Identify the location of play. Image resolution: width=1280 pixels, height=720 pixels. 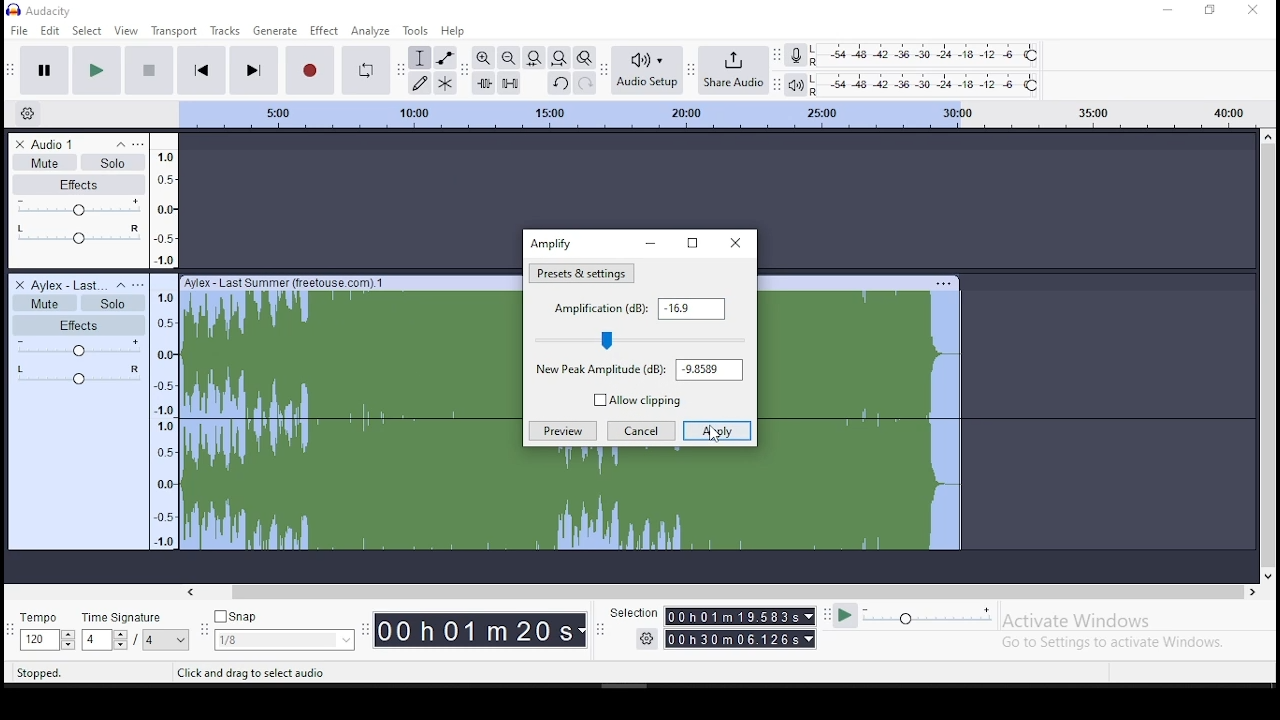
(96, 70).